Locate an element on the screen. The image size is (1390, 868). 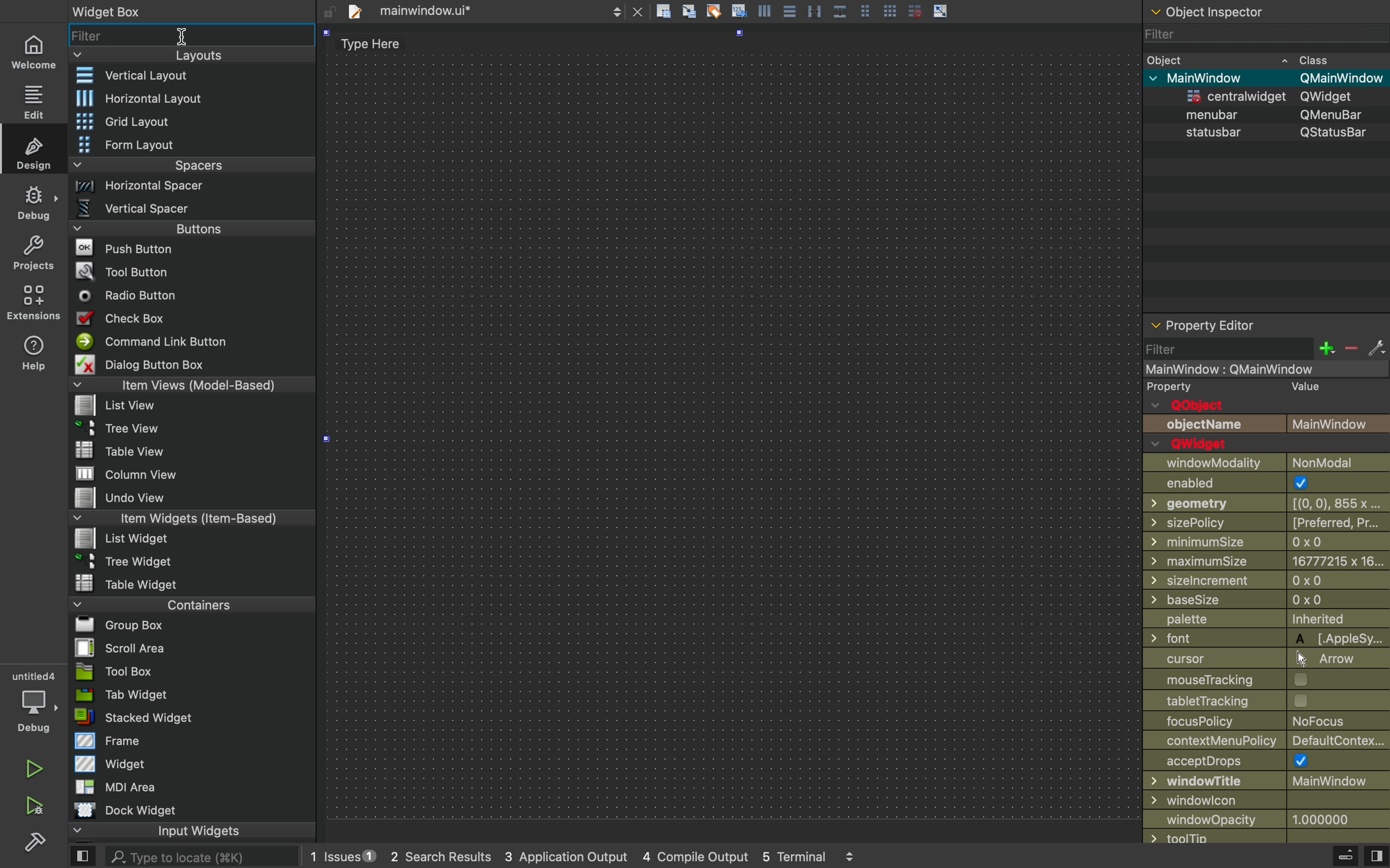
containers is located at coordinates (192, 606).